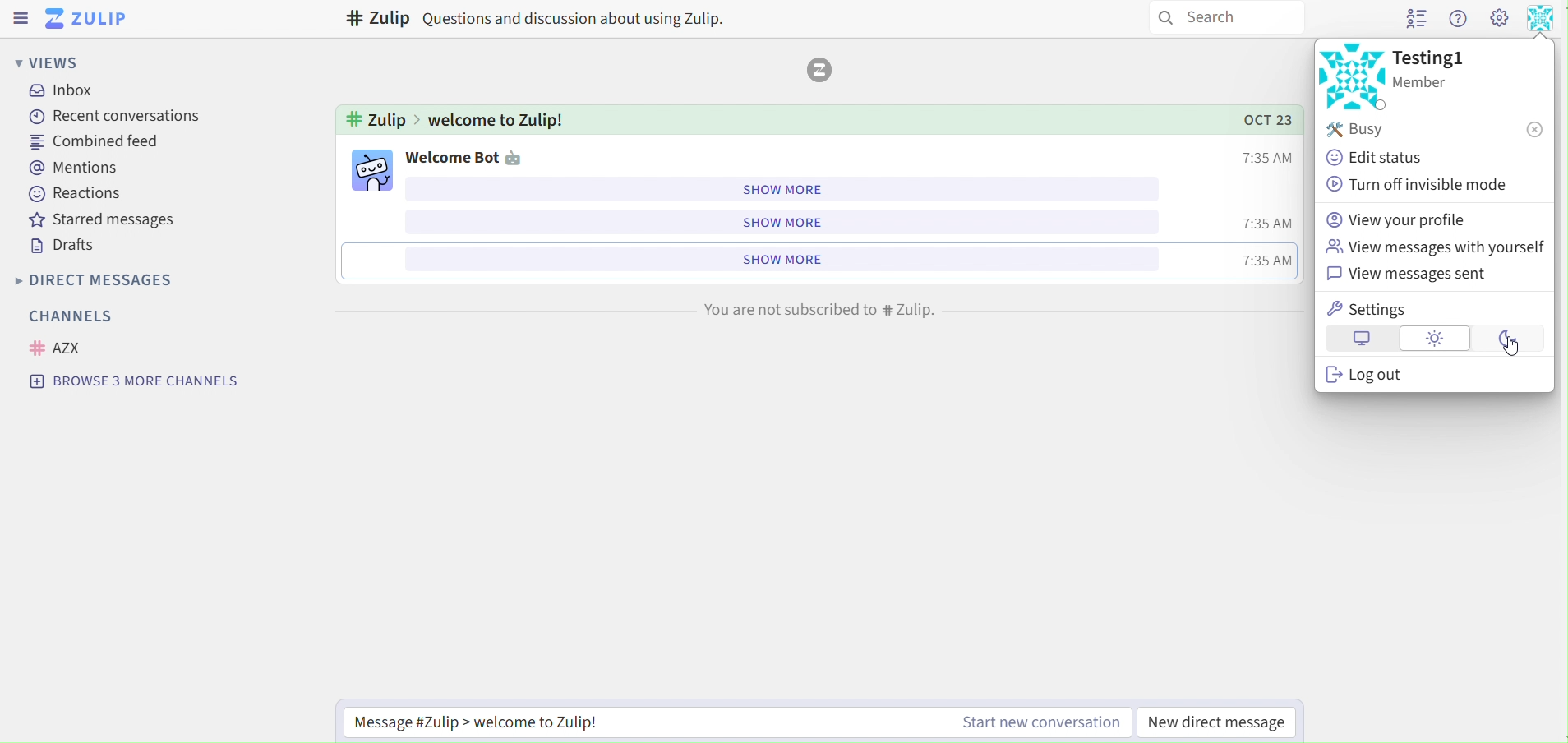 This screenshot has height=743, width=1568. What do you see at coordinates (57, 347) in the screenshot?
I see `AZX` at bounding box center [57, 347].